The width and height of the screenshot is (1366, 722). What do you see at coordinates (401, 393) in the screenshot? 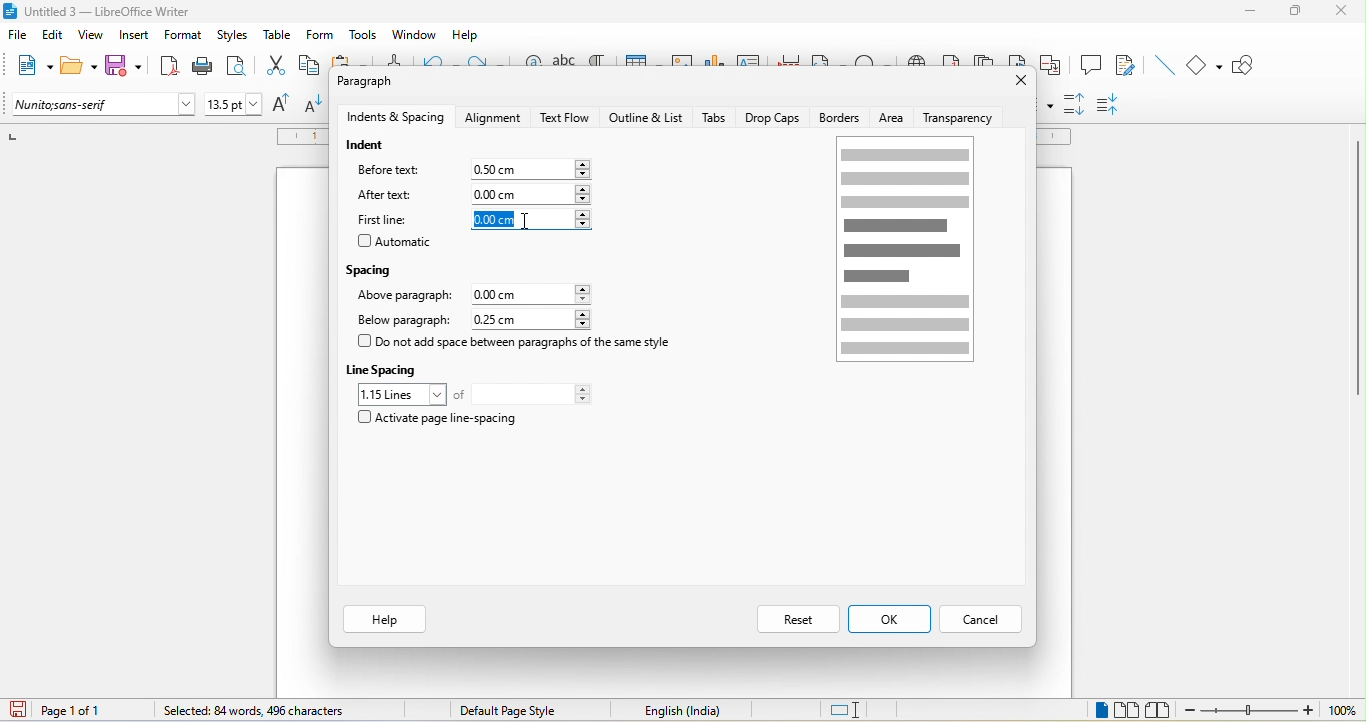
I see `1.15 loines` at bounding box center [401, 393].